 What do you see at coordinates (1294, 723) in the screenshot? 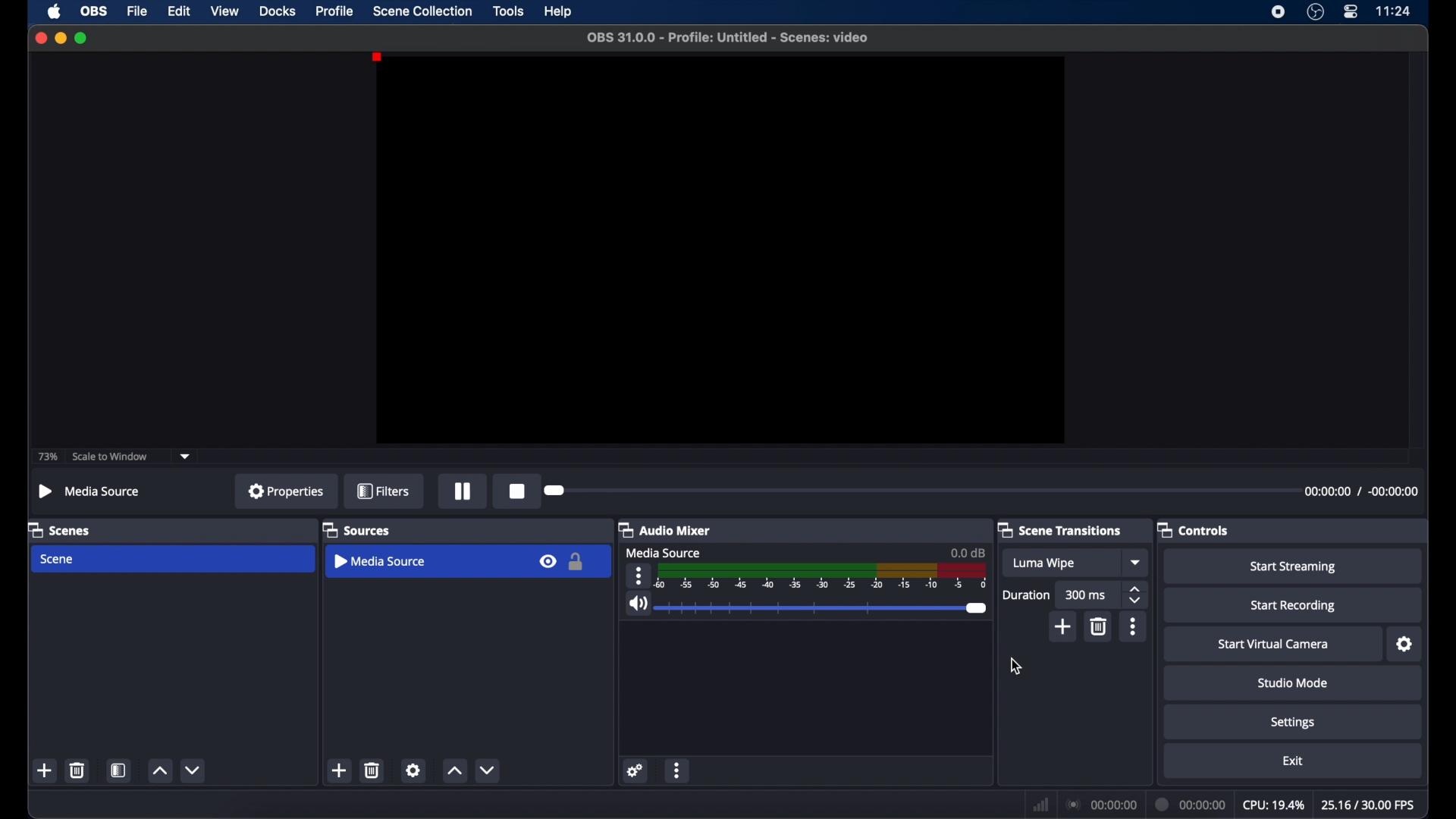
I see `settings` at bounding box center [1294, 723].